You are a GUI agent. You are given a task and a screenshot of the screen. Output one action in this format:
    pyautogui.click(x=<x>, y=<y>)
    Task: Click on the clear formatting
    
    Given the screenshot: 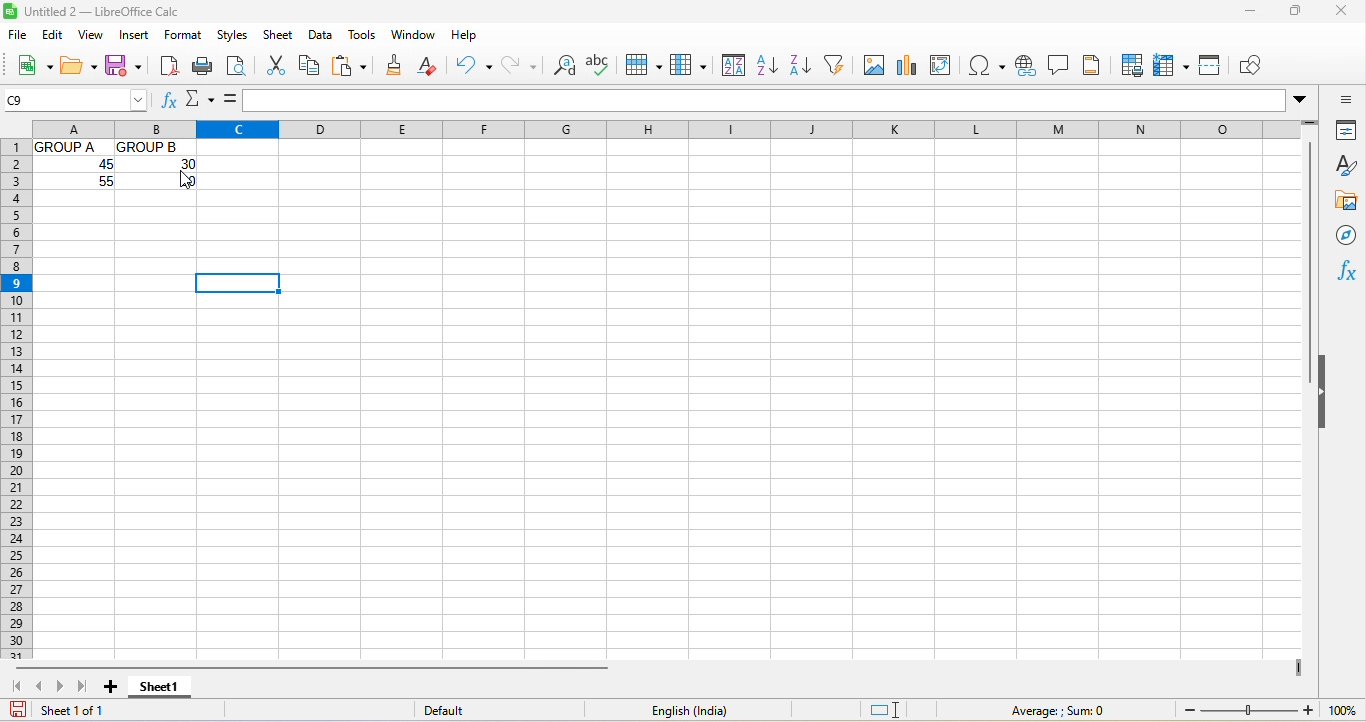 What is the action you would take?
    pyautogui.click(x=436, y=65)
    